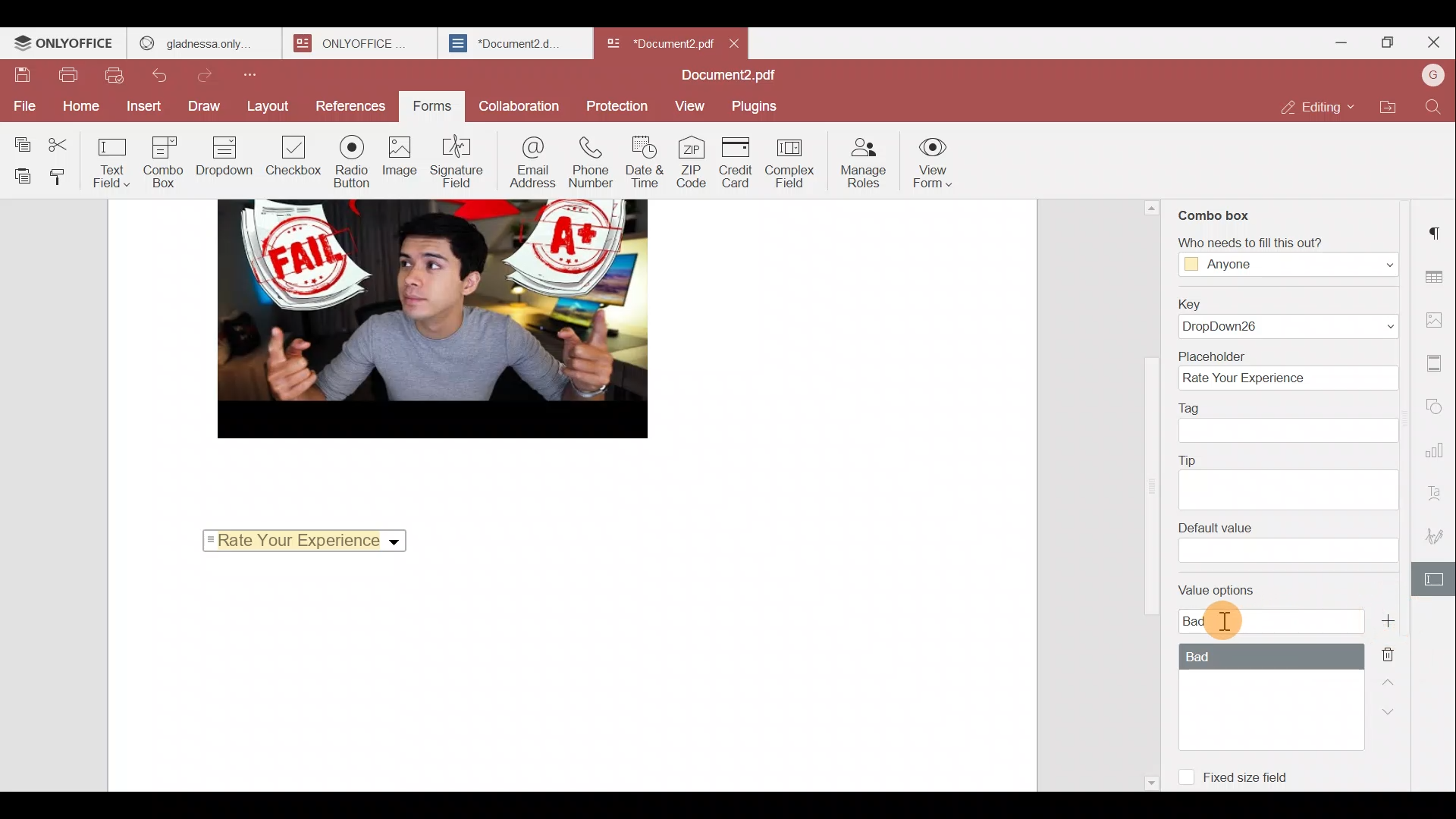  What do you see at coordinates (352, 162) in the screenshot?
I see `Radio` at bounding box center [352, 162].